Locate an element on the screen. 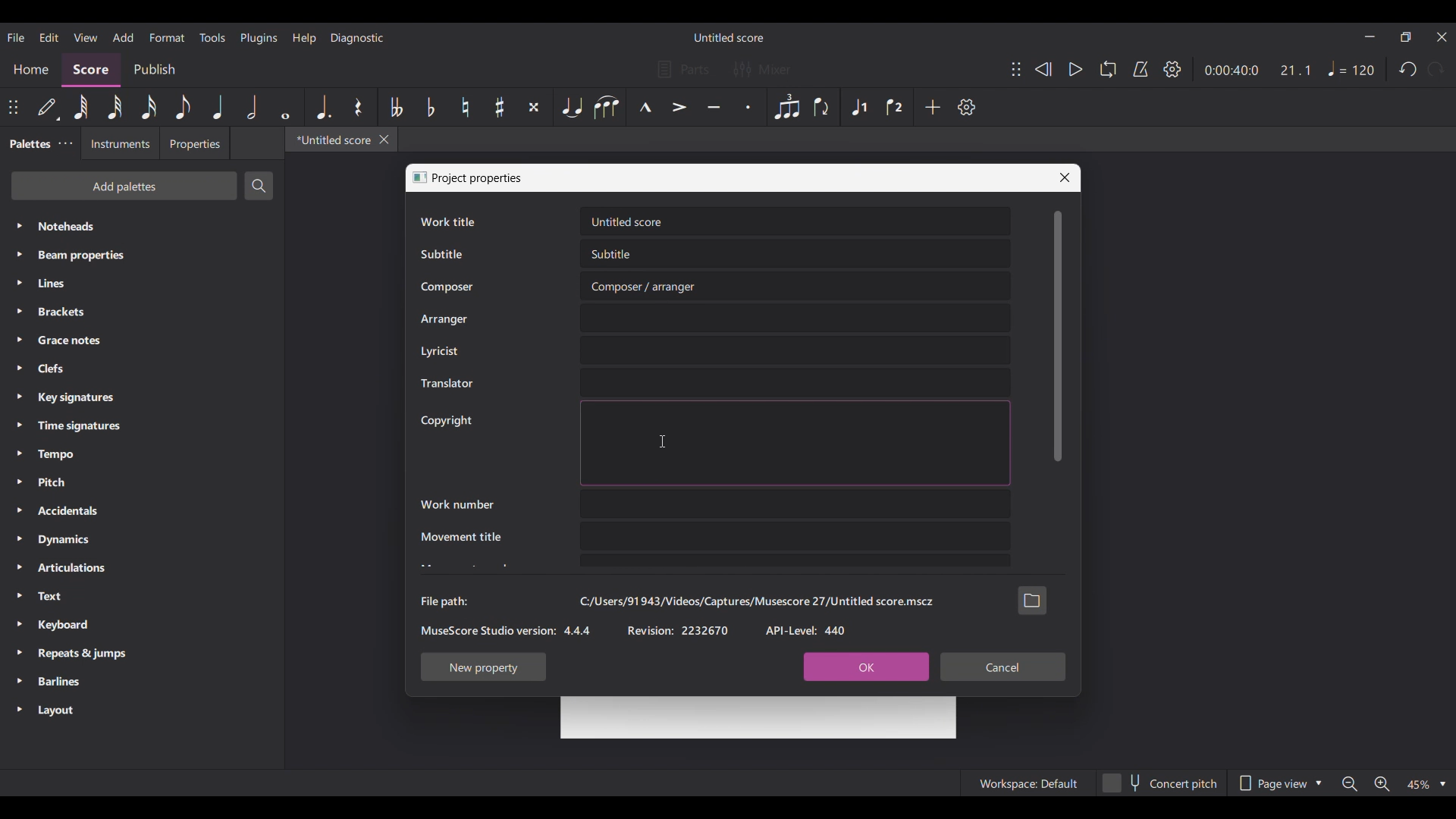 This screenshot has width=1456, height=819. Subtitle is located at coordinates (441, 254).